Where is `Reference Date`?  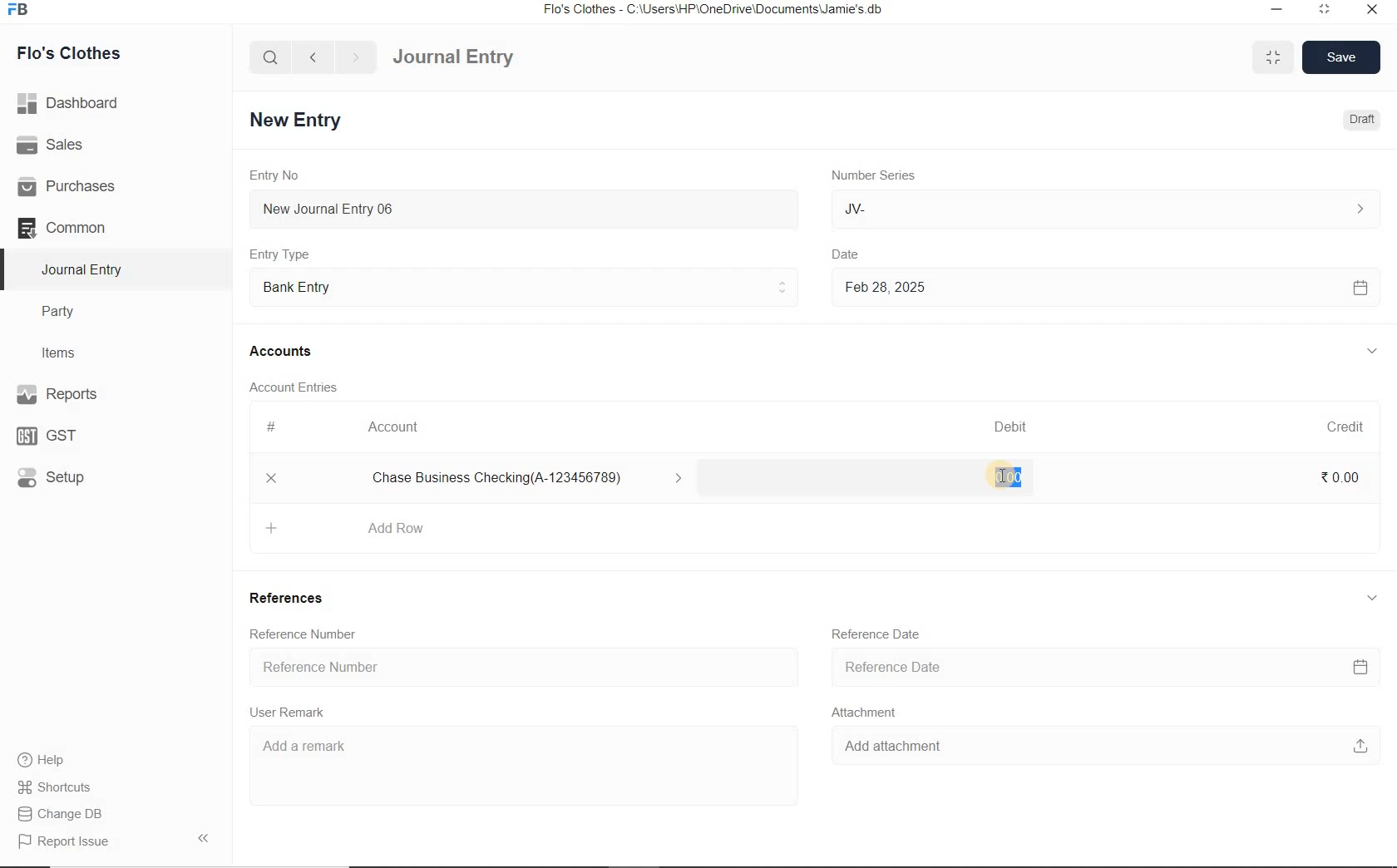
Reference Date is located at coordinates (879, 634).